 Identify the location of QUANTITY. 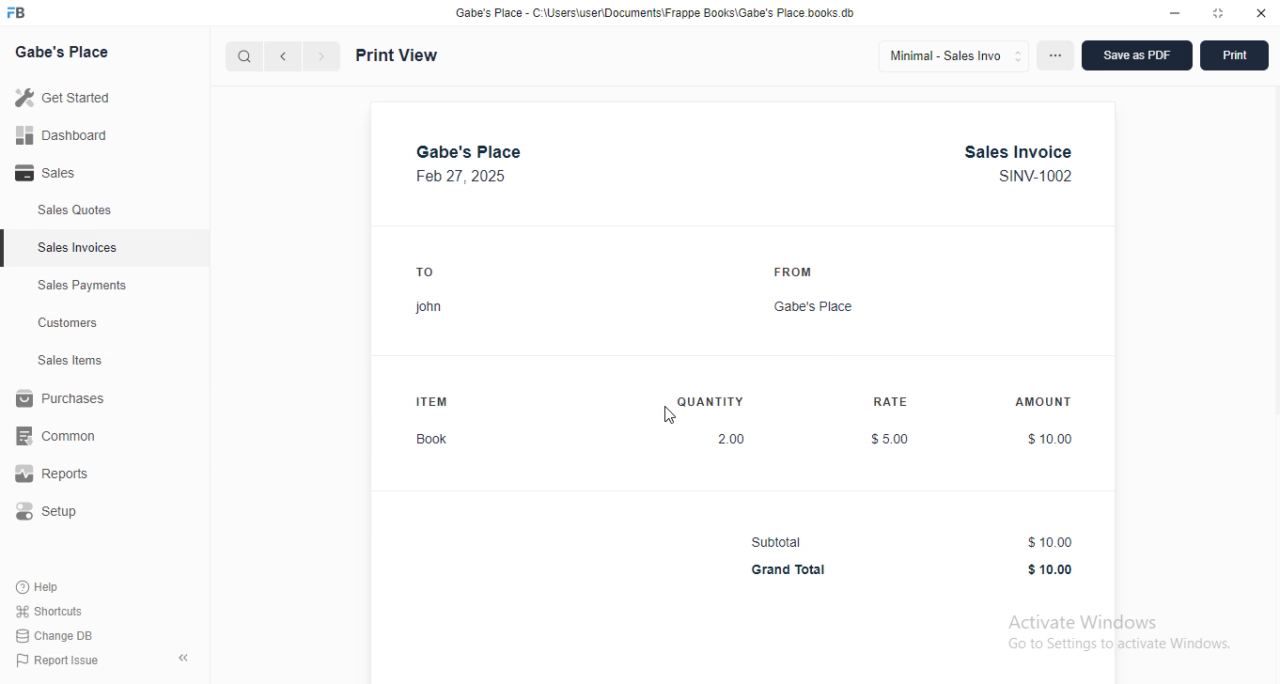
(711, 402).